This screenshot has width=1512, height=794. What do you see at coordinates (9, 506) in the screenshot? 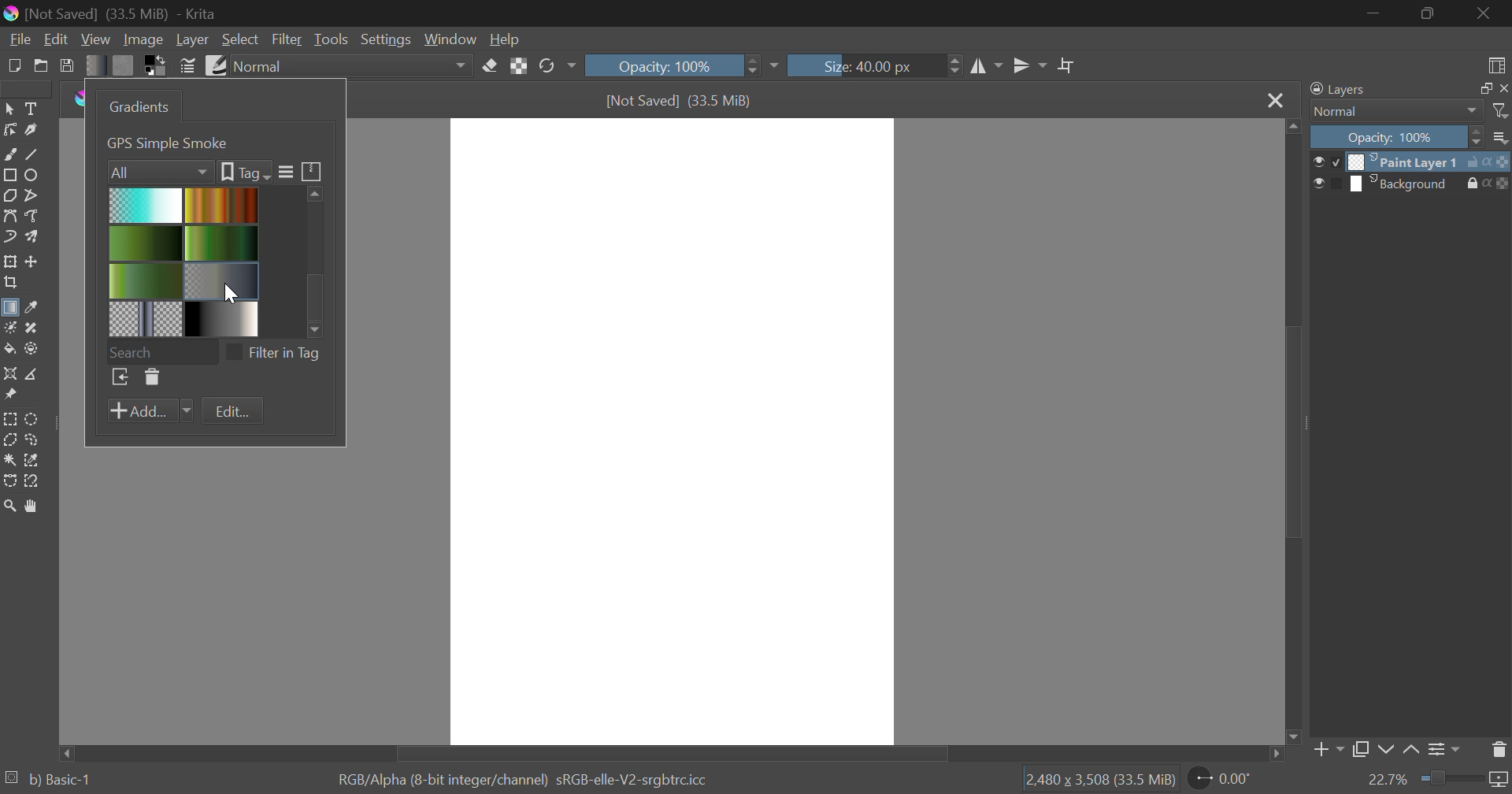
I see `Zoom` at bounding box center [9, 506].